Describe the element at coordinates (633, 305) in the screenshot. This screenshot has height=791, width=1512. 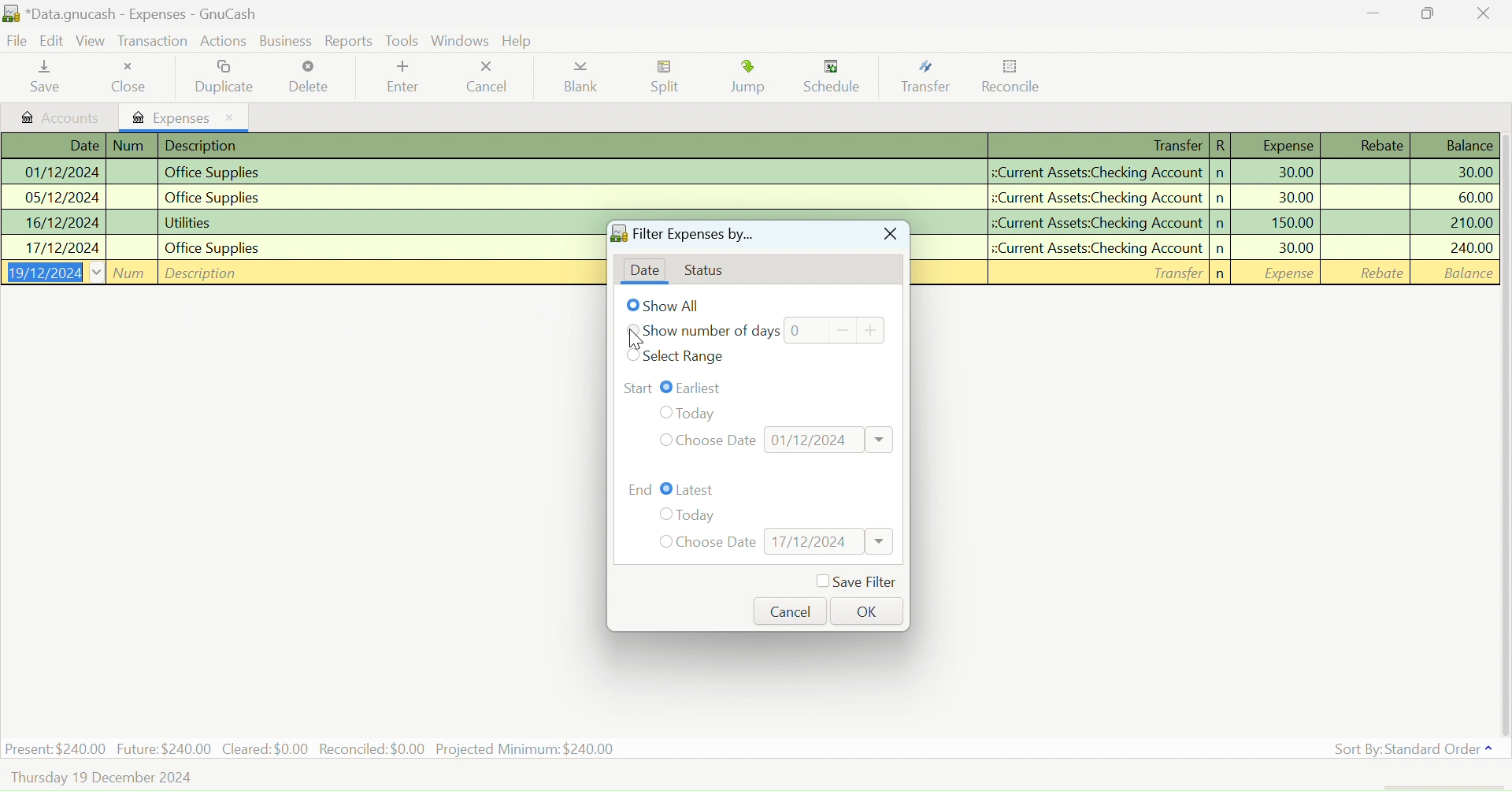
I see `Checkbox` at that location.